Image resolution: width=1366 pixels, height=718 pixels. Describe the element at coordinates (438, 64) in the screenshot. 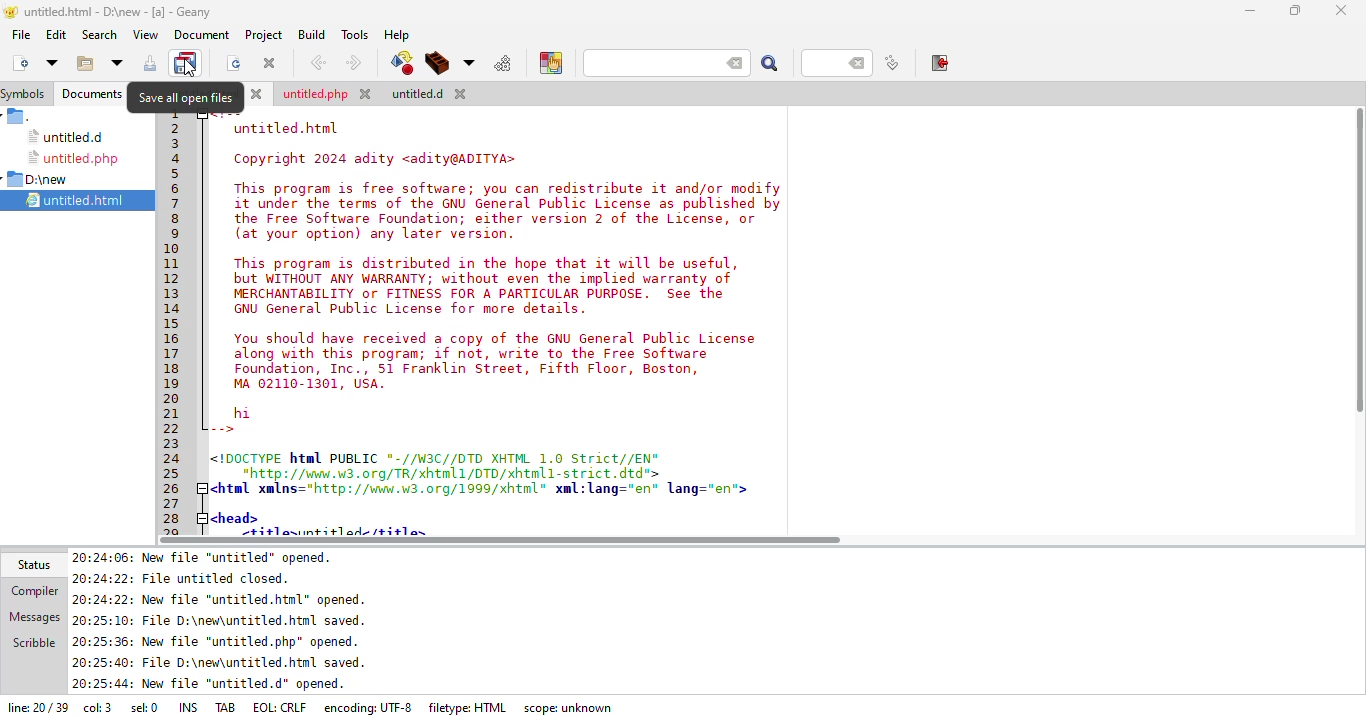

I see `build` at that location.